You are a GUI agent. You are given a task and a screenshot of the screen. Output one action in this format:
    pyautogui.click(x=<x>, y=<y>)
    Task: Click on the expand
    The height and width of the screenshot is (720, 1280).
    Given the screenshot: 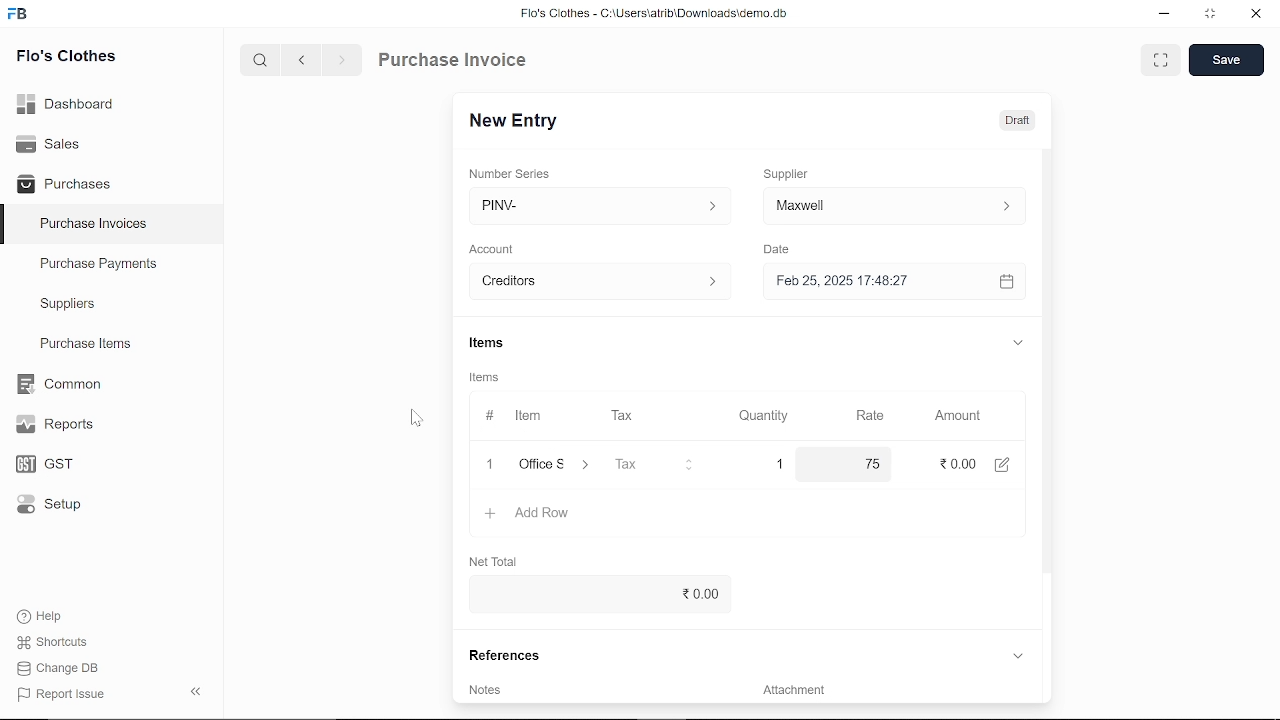 What is the action you would take?
    pyautogui.click(x=1017, y=655)
    